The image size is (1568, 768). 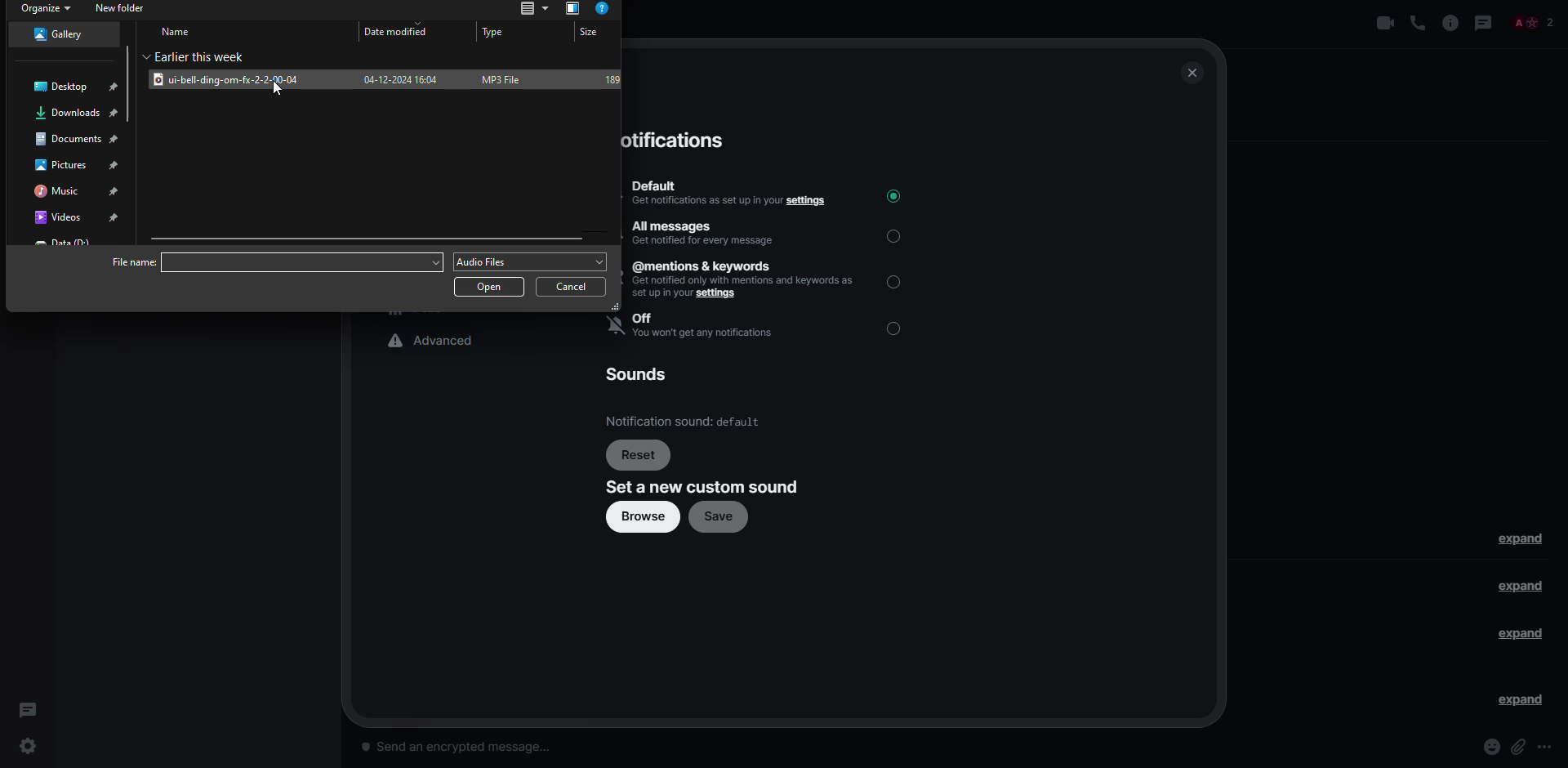 I want to click on send an encrypted message, so click(x=466, y=748).